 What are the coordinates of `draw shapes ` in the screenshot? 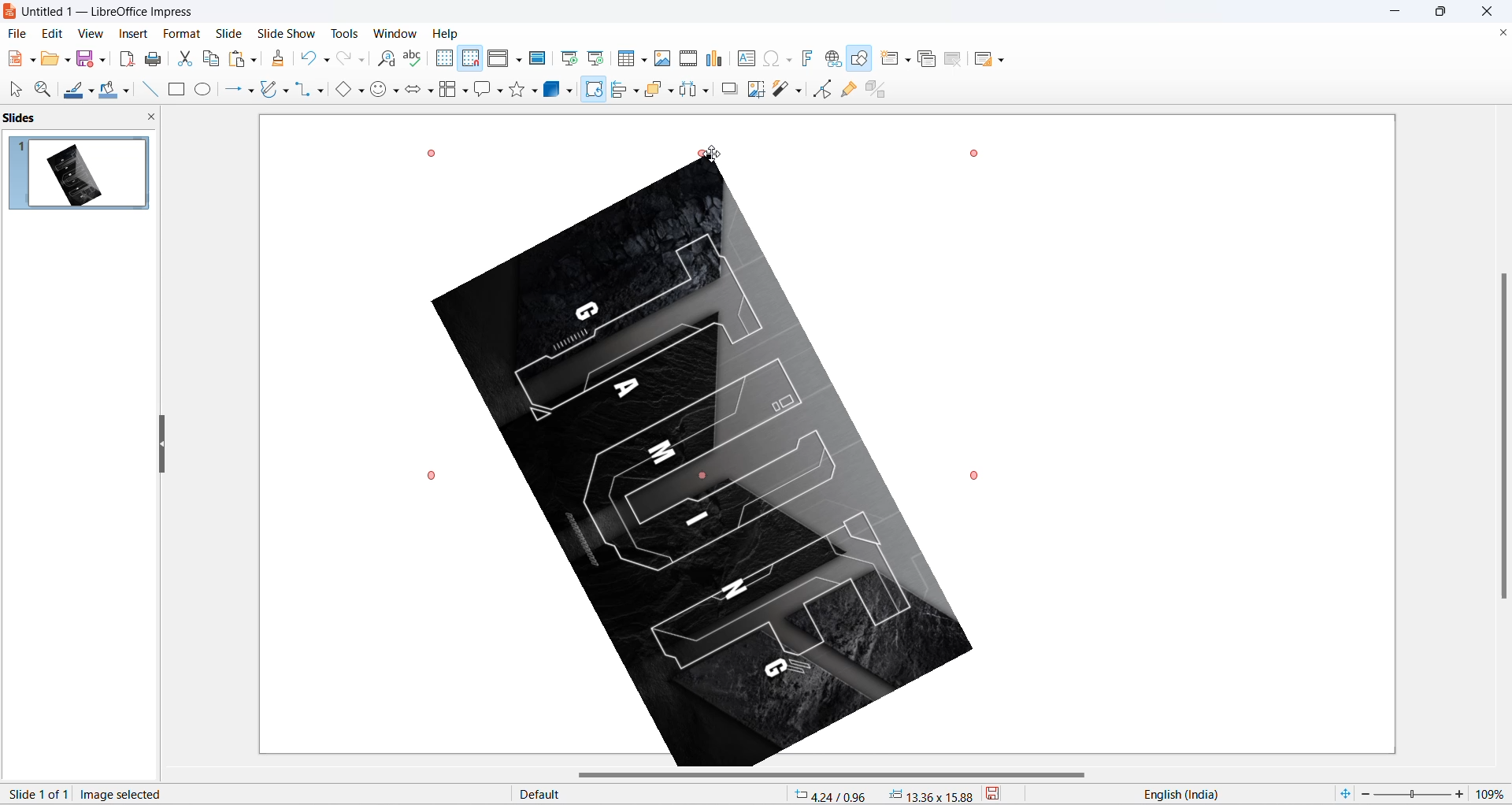 It's located at (861, 59).